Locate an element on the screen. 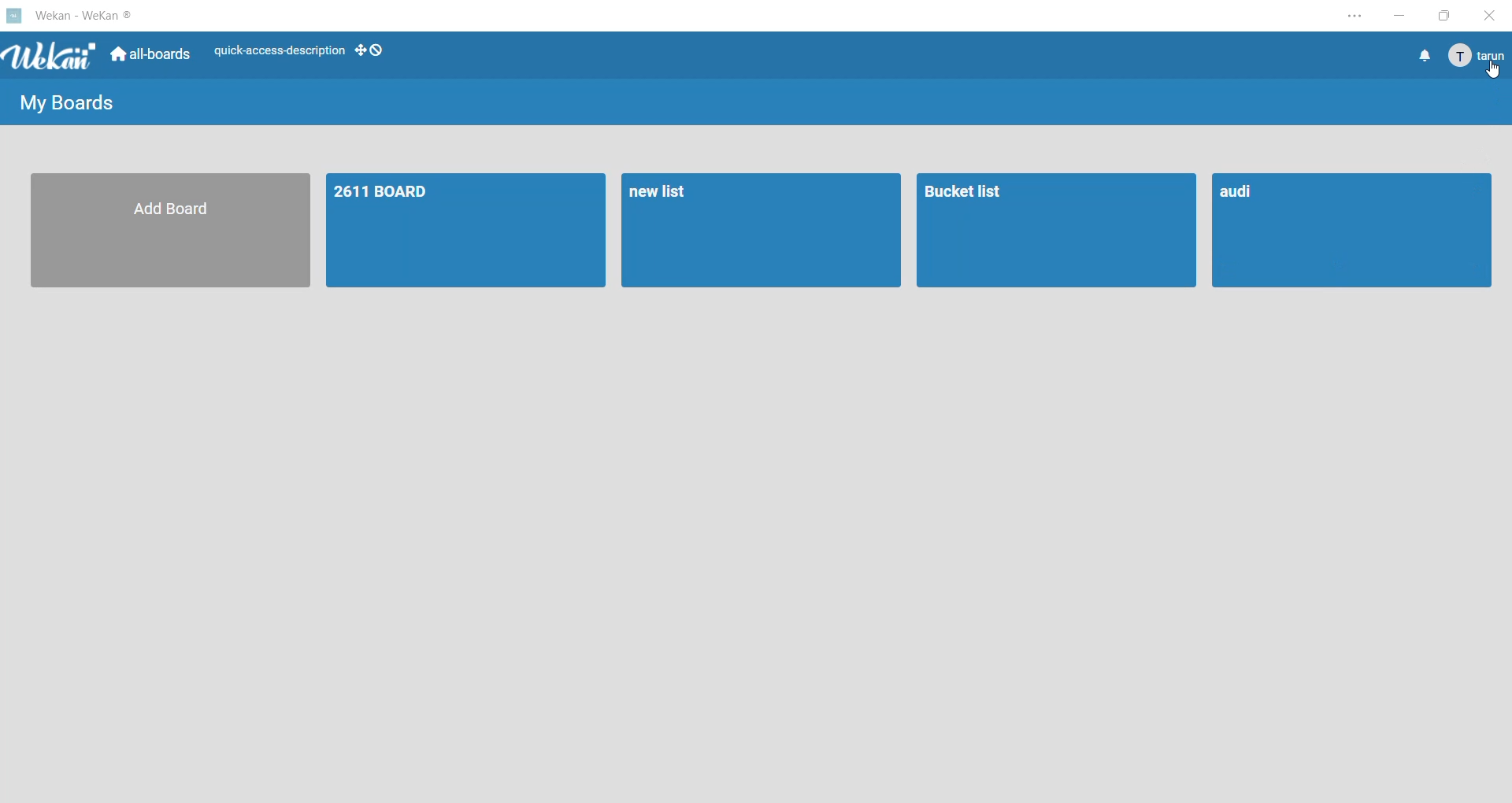  board 1- 2611 board is located at coordinates (470, 230).